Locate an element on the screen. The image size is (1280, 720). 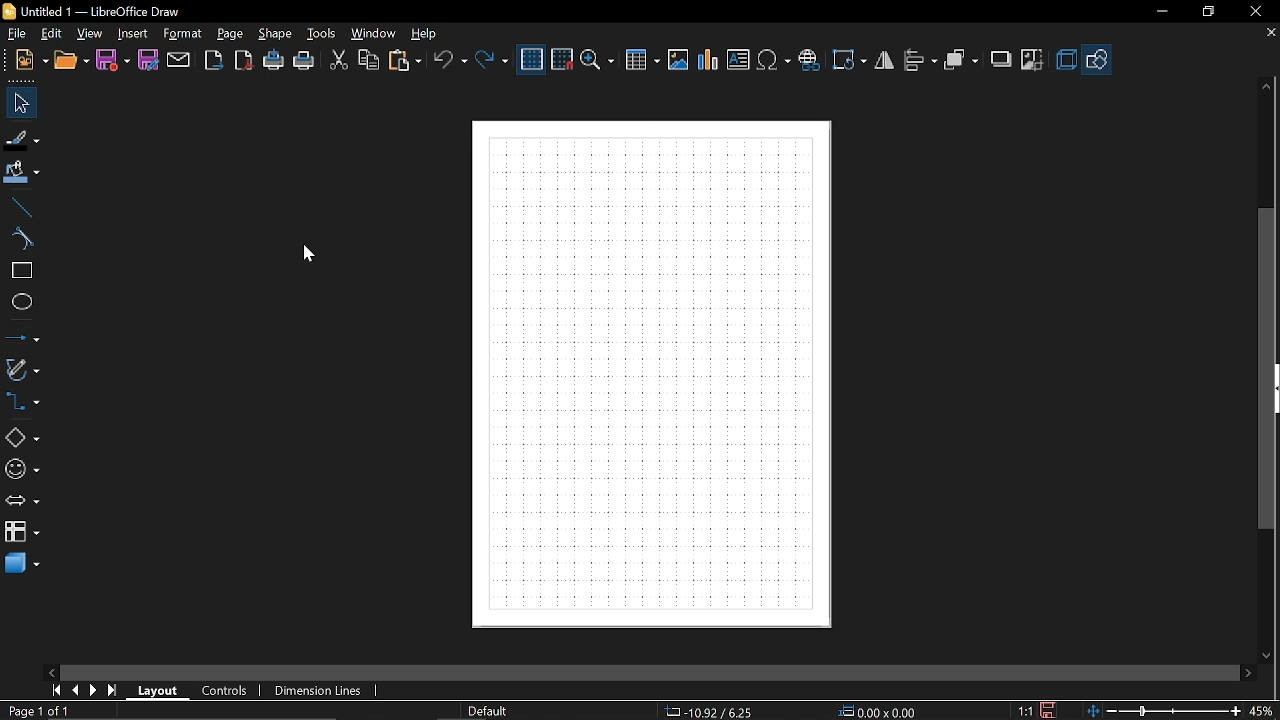
Default - Current display is located at coordinates (486, 711).